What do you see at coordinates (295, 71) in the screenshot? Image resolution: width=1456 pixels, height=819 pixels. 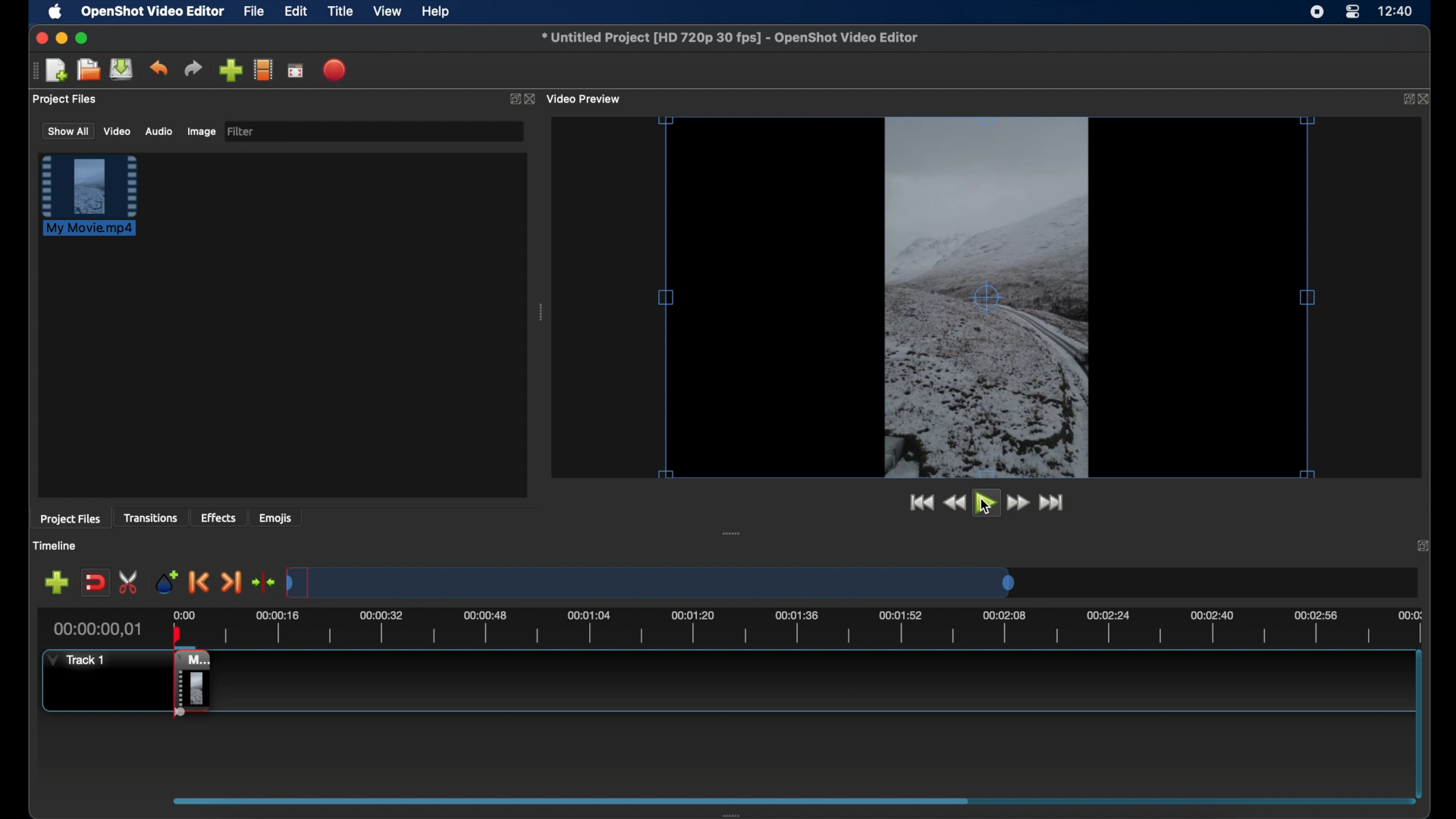 I see `full screen` at bounding box center [295, 71].